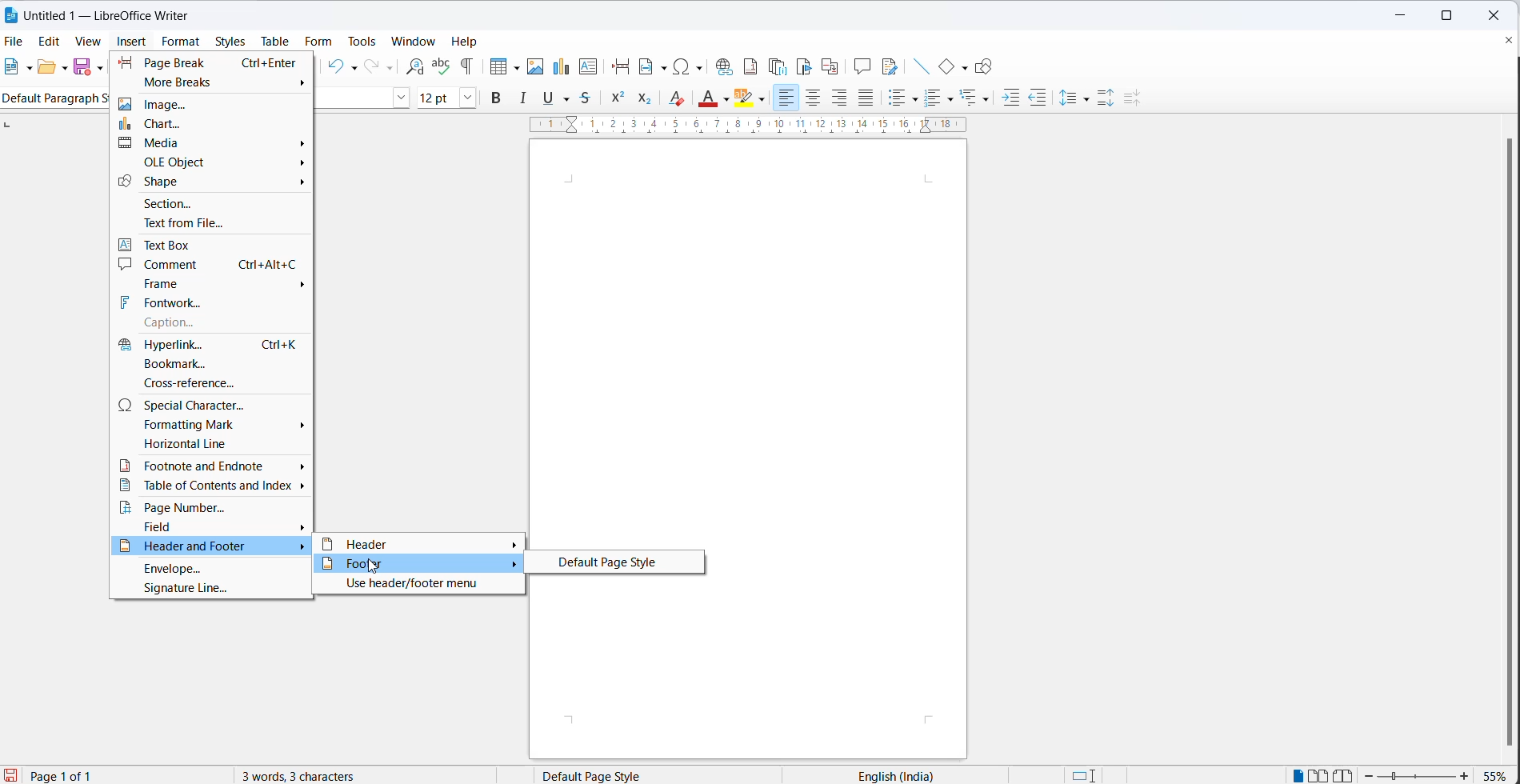  Describe the element at coordinates (333, 66) in the screenshot. I see `undo` at that location.